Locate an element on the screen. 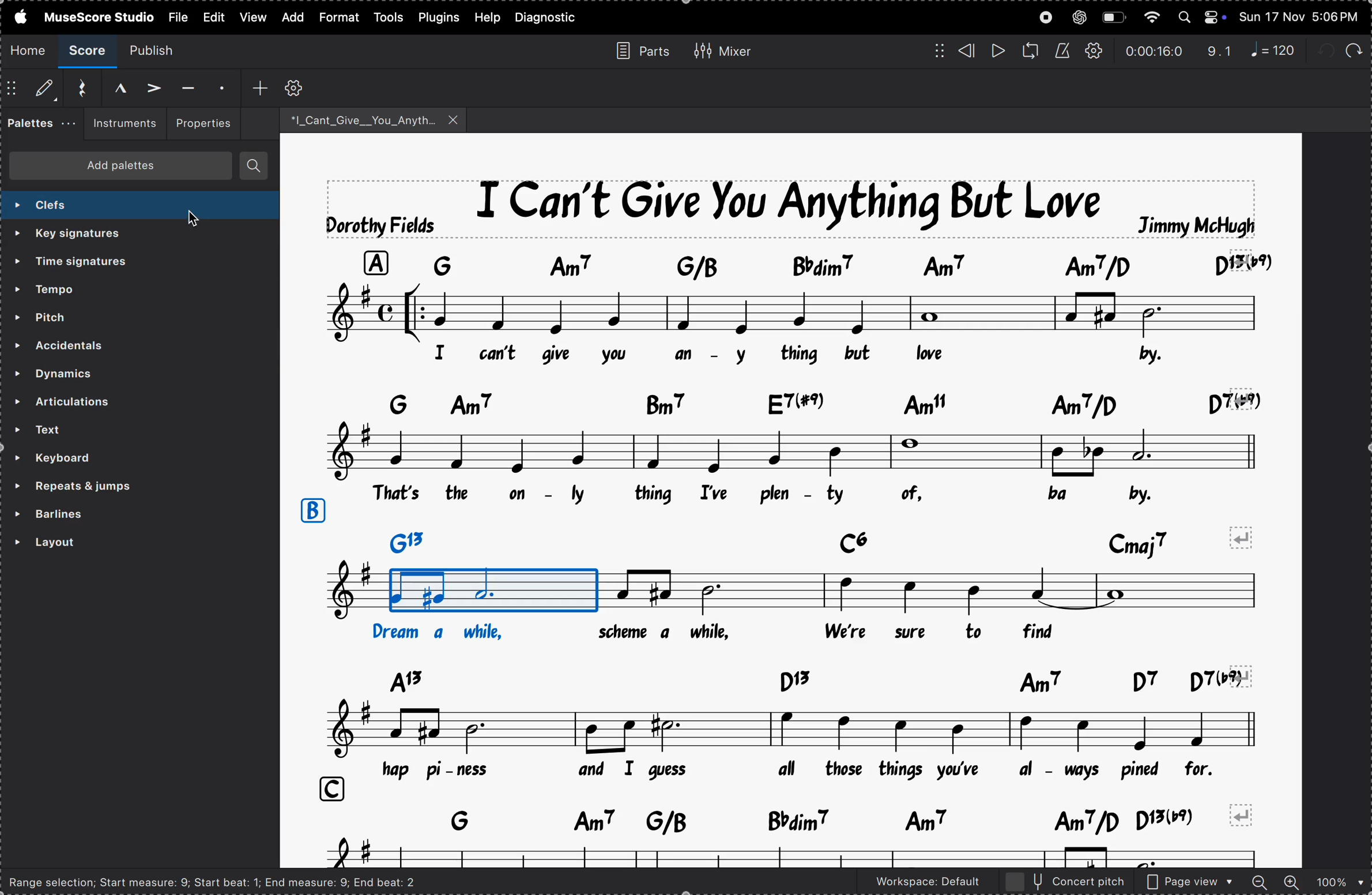  record is located at coordinates (1046, 17).